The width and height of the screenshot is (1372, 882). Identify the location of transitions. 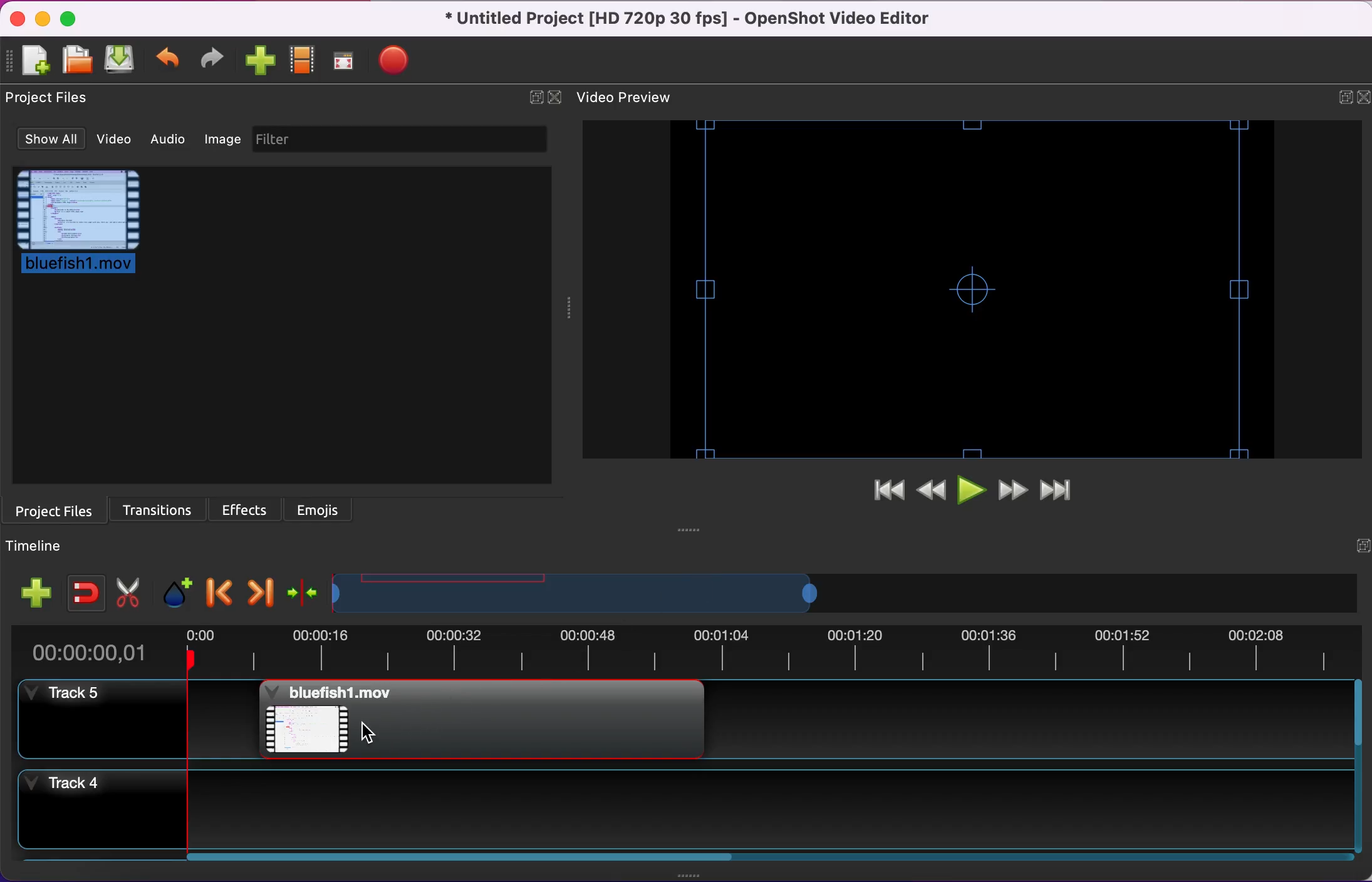
(157, 509).